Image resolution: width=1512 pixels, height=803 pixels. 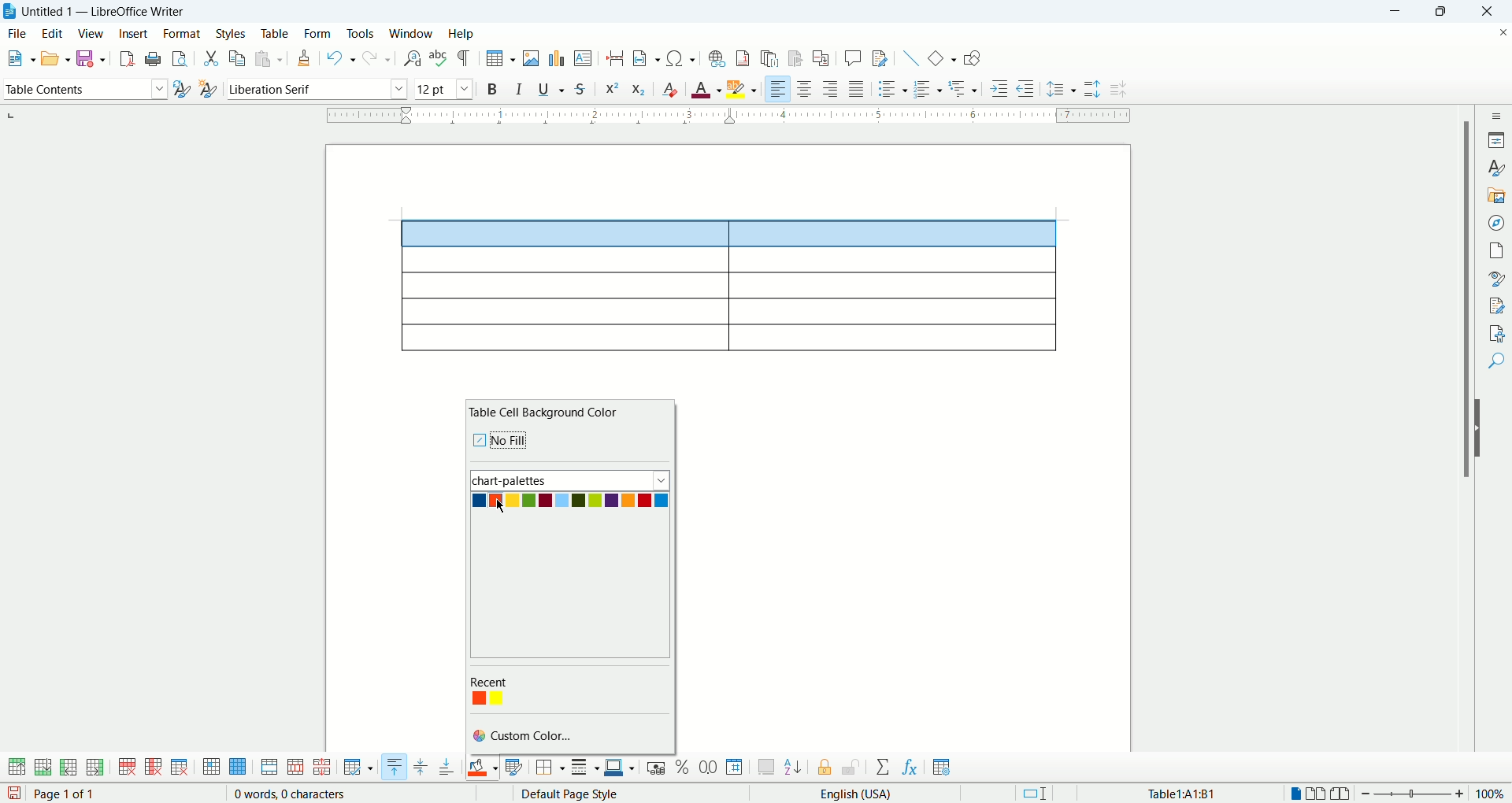 I want to click on table1, so click(x=1184, y=793).